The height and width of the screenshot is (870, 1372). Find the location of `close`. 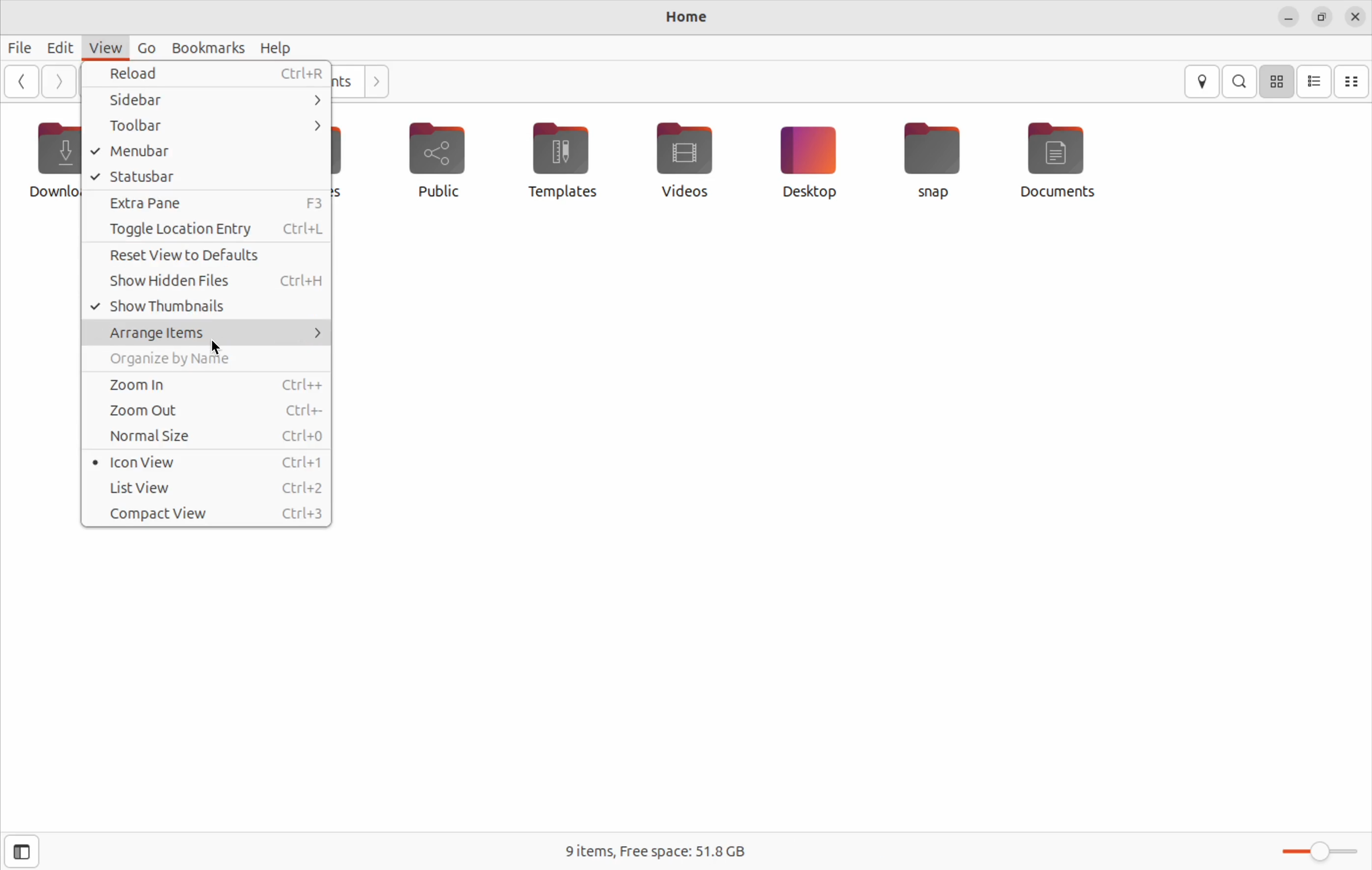

close is located at coordinates (1357, 18).